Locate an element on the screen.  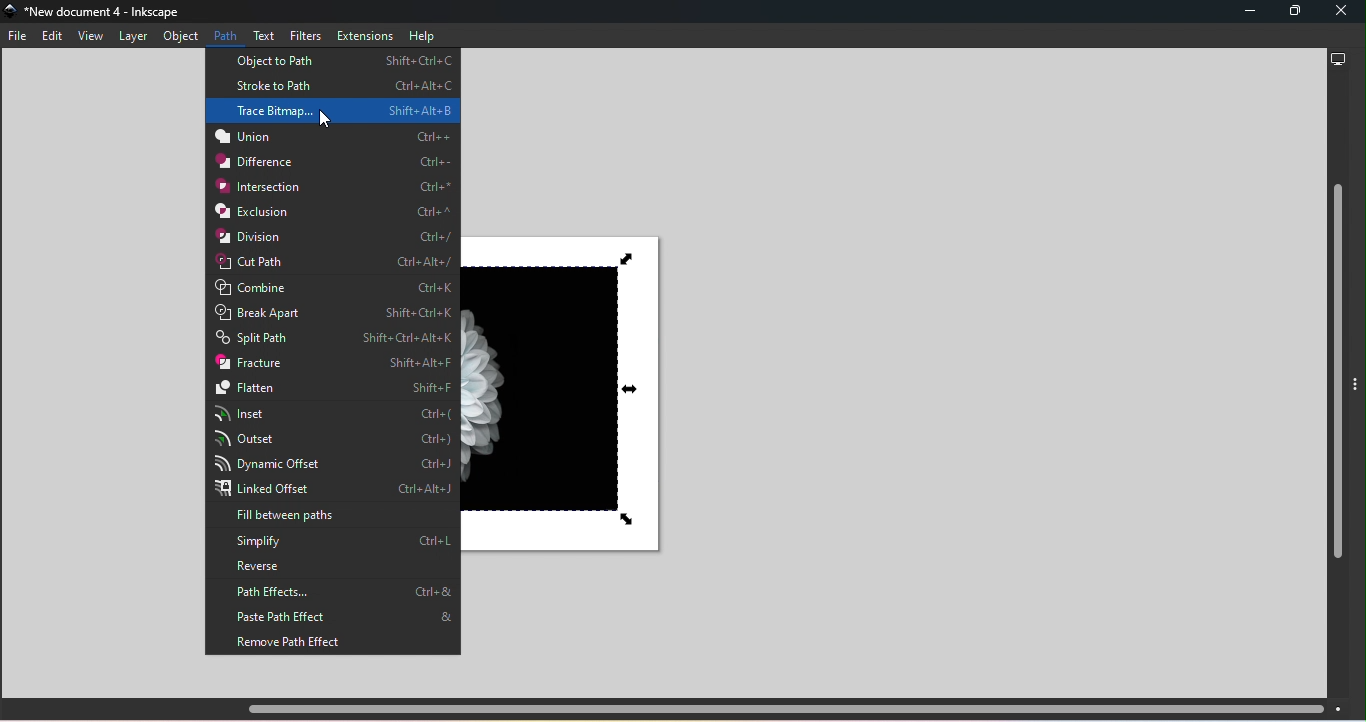
Text is located at coordinates (265, 36).